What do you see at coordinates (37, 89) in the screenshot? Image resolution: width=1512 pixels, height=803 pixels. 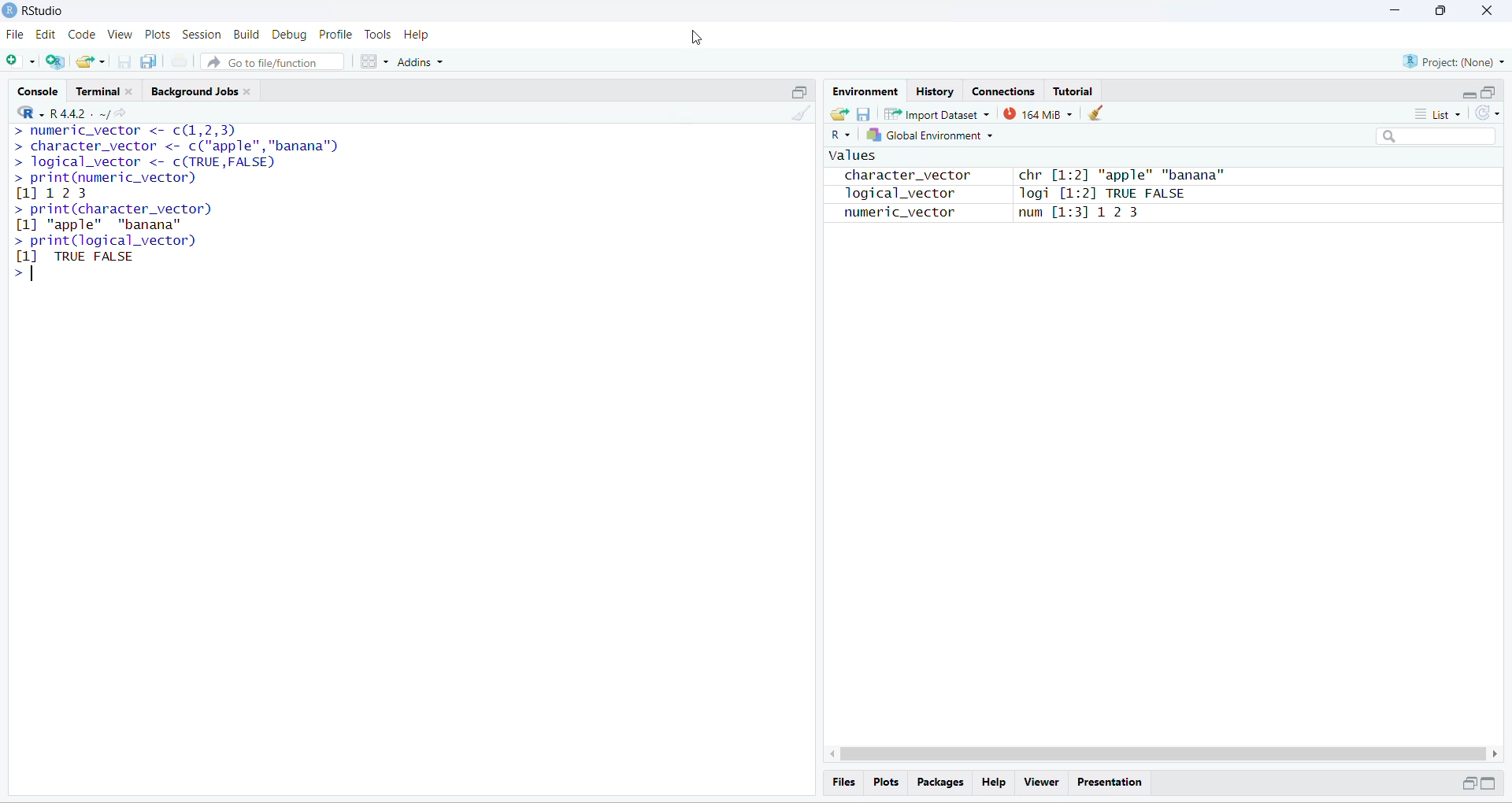 I see `Console` at bounding box center [37, 89].